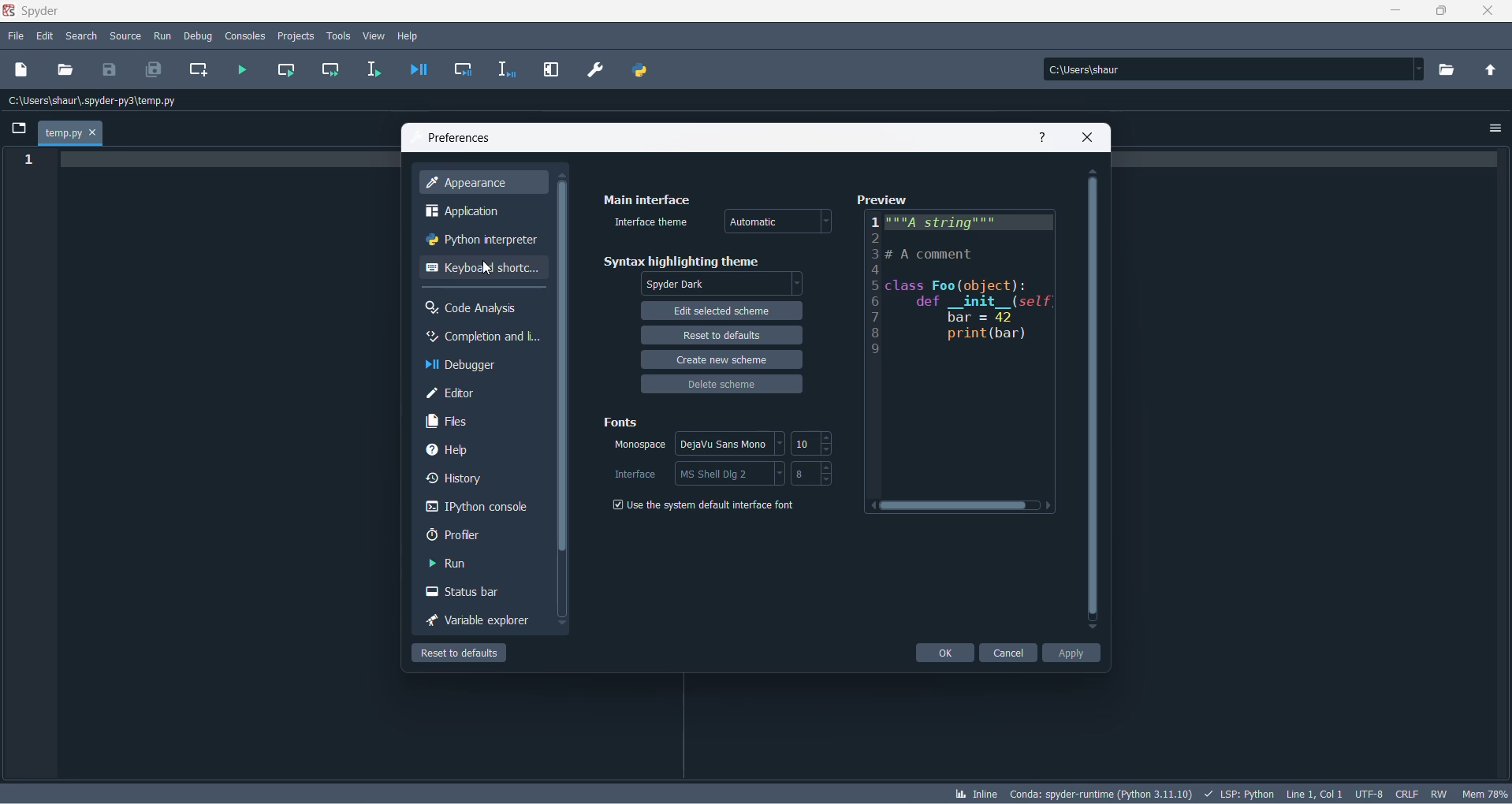 This screenshot has width=1512, height=804. What do you see at coordinates (690, 260) in the screenshot?
I see `syntax highlighting theme` at bounding box center [690, 260].